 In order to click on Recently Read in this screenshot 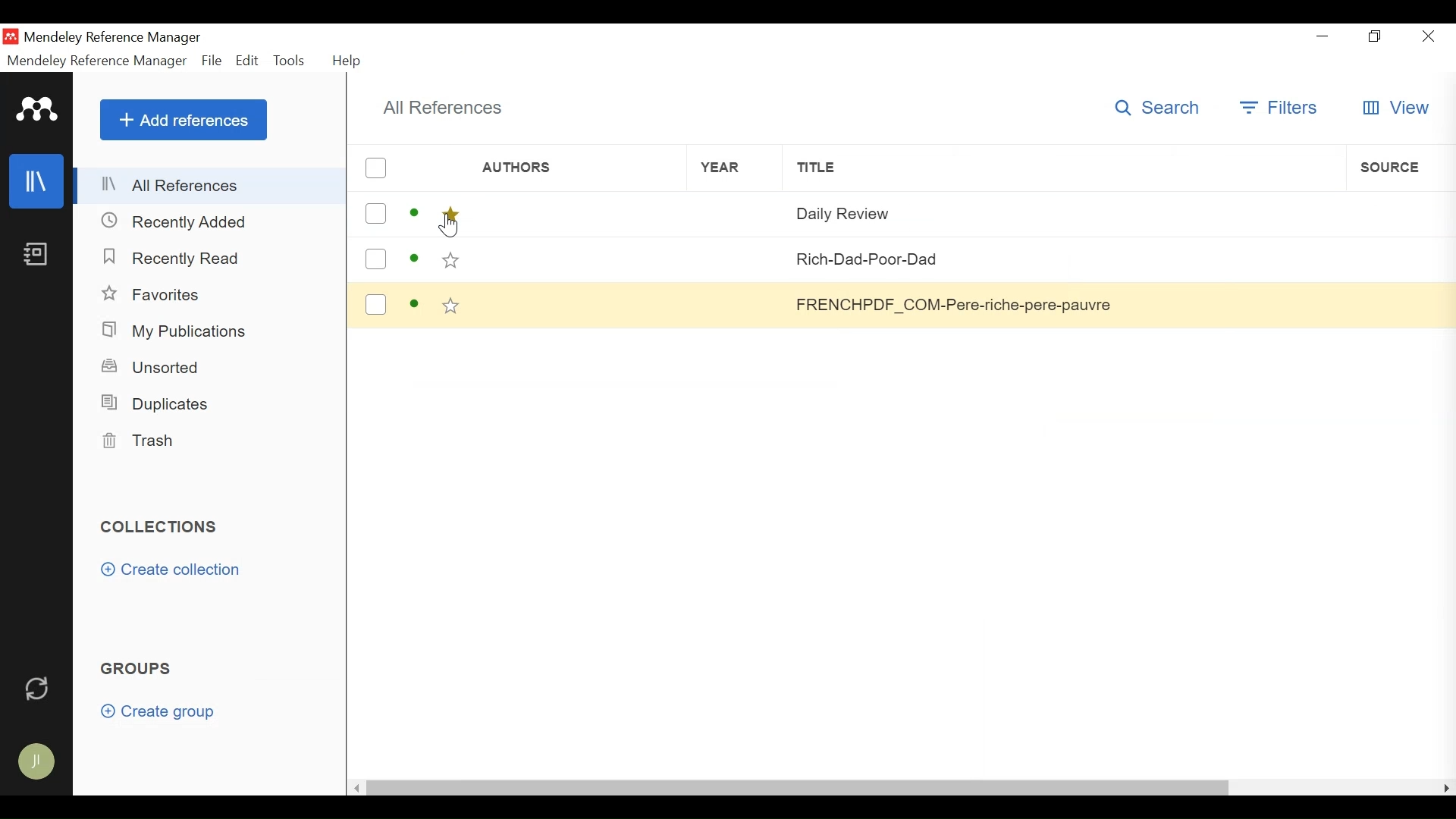, I will do `click(179, 259)`.